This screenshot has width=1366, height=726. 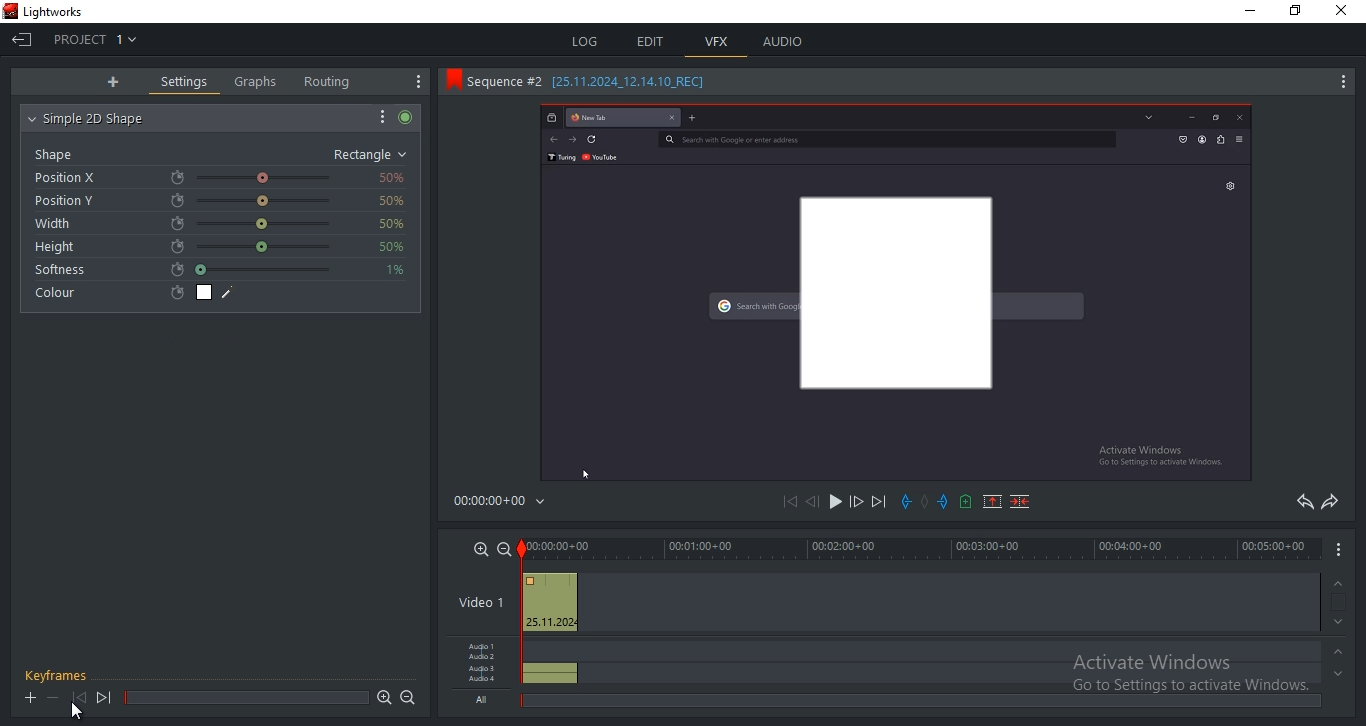 I want to click on add an in mark , so click(x=943, y=500).